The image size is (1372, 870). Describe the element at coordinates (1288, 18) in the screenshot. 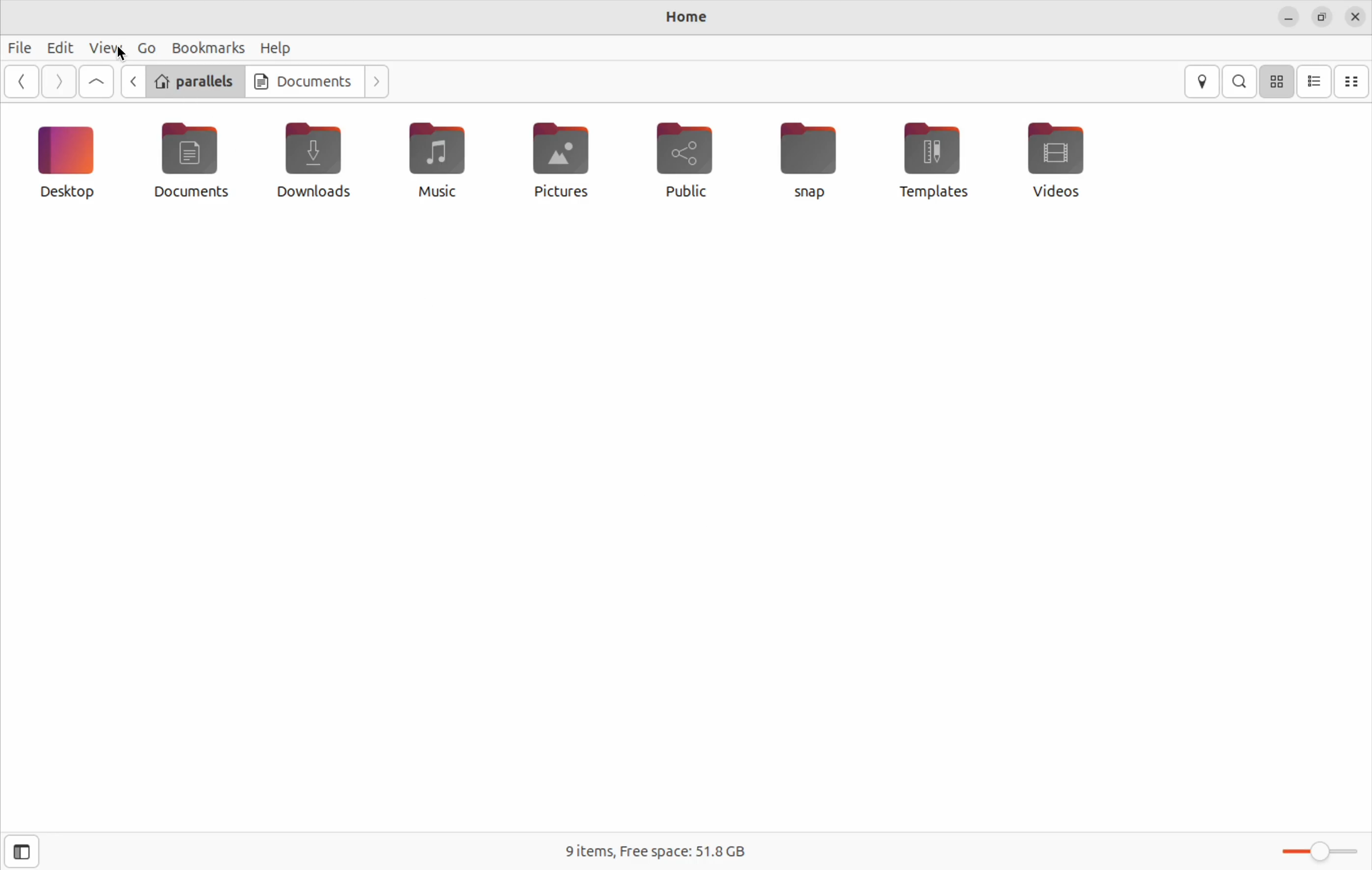

I see `minimize` at that location.